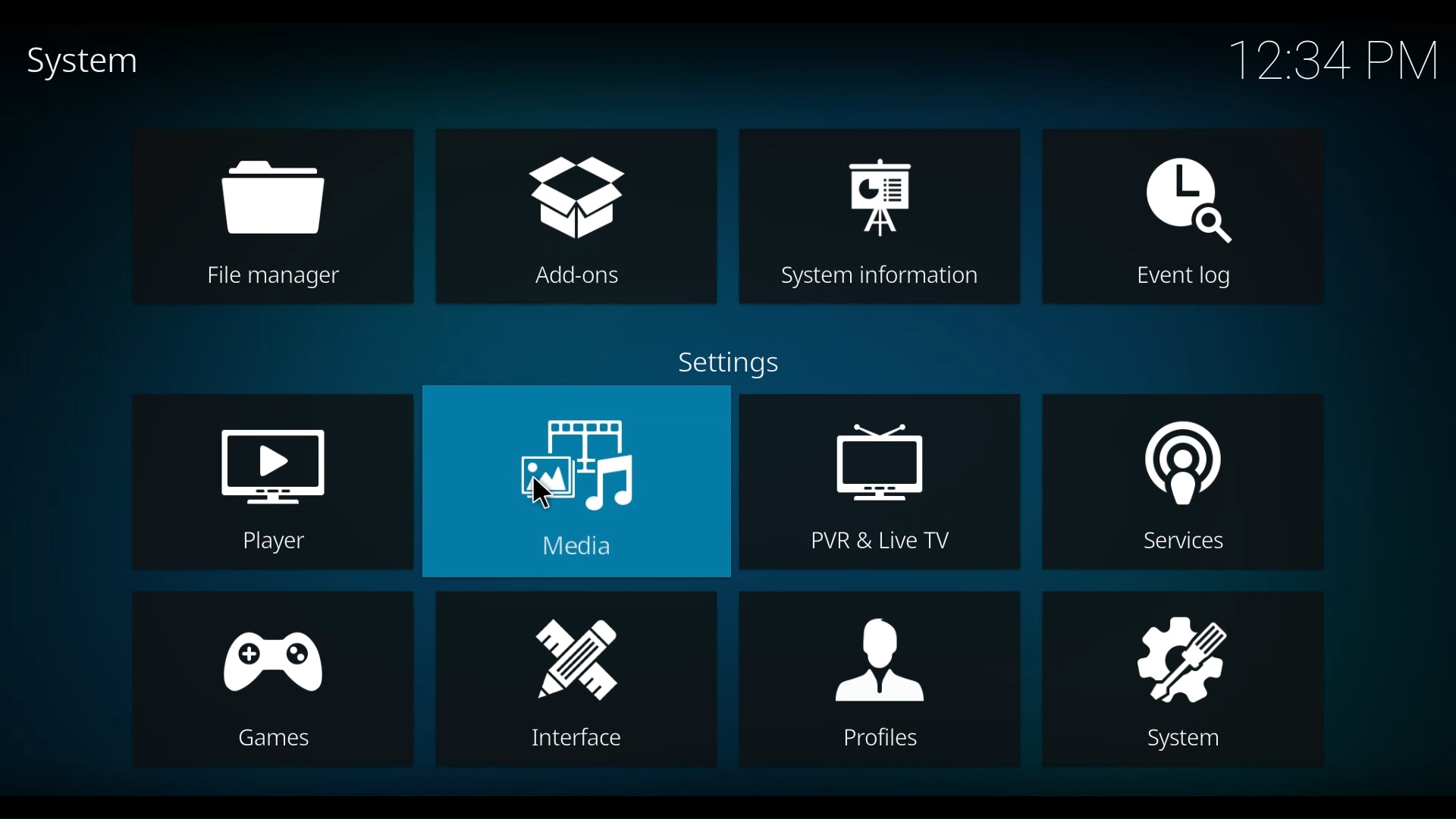 The image size is (1456, 819). Describe the element at coordinates (880, 681) in the screenshot. I see `Profiles` at that location.